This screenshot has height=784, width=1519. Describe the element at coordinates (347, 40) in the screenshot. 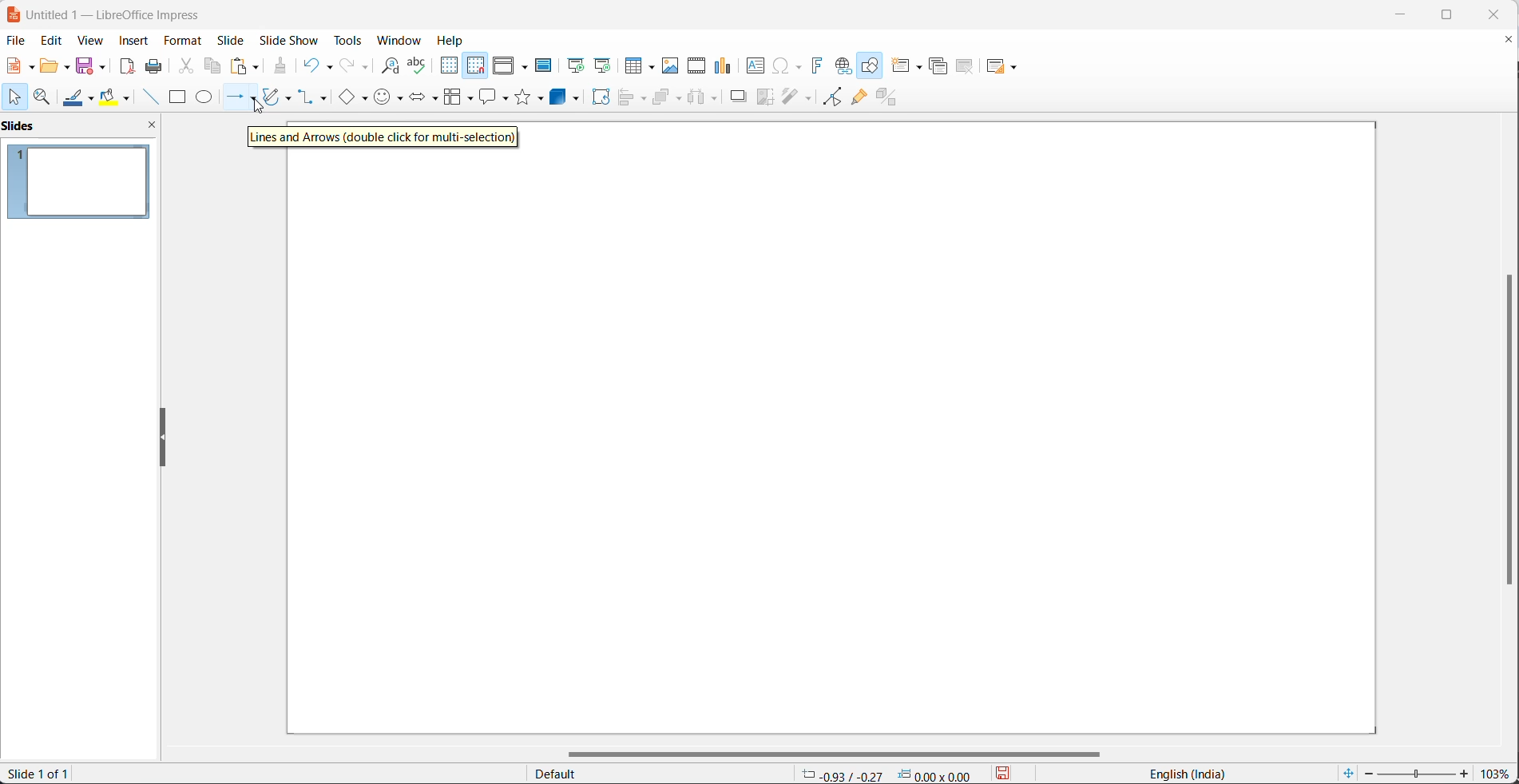

I see `tools` at that location.